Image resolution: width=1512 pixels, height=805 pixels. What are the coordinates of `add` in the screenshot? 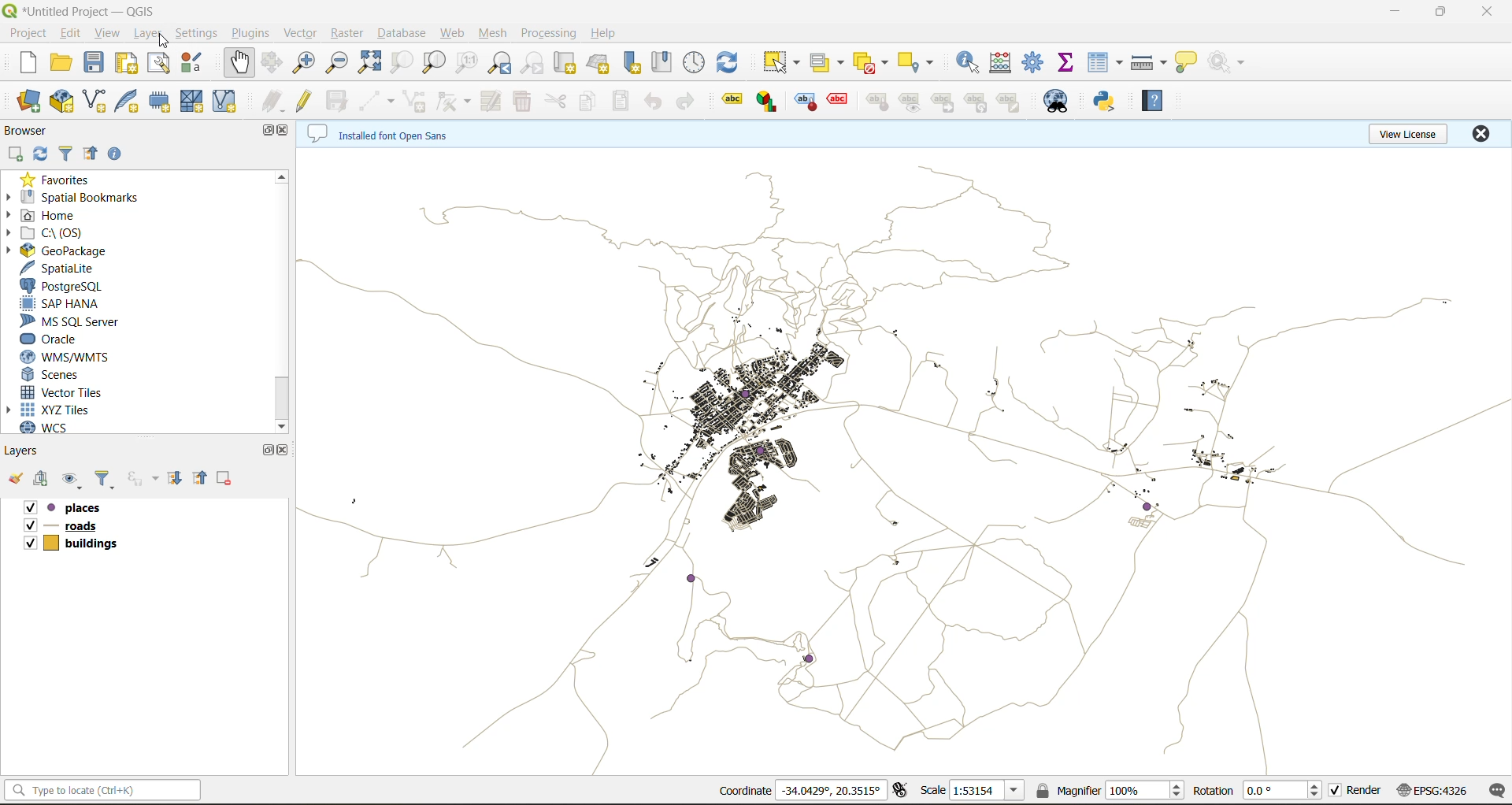 It's located at (17, 154).